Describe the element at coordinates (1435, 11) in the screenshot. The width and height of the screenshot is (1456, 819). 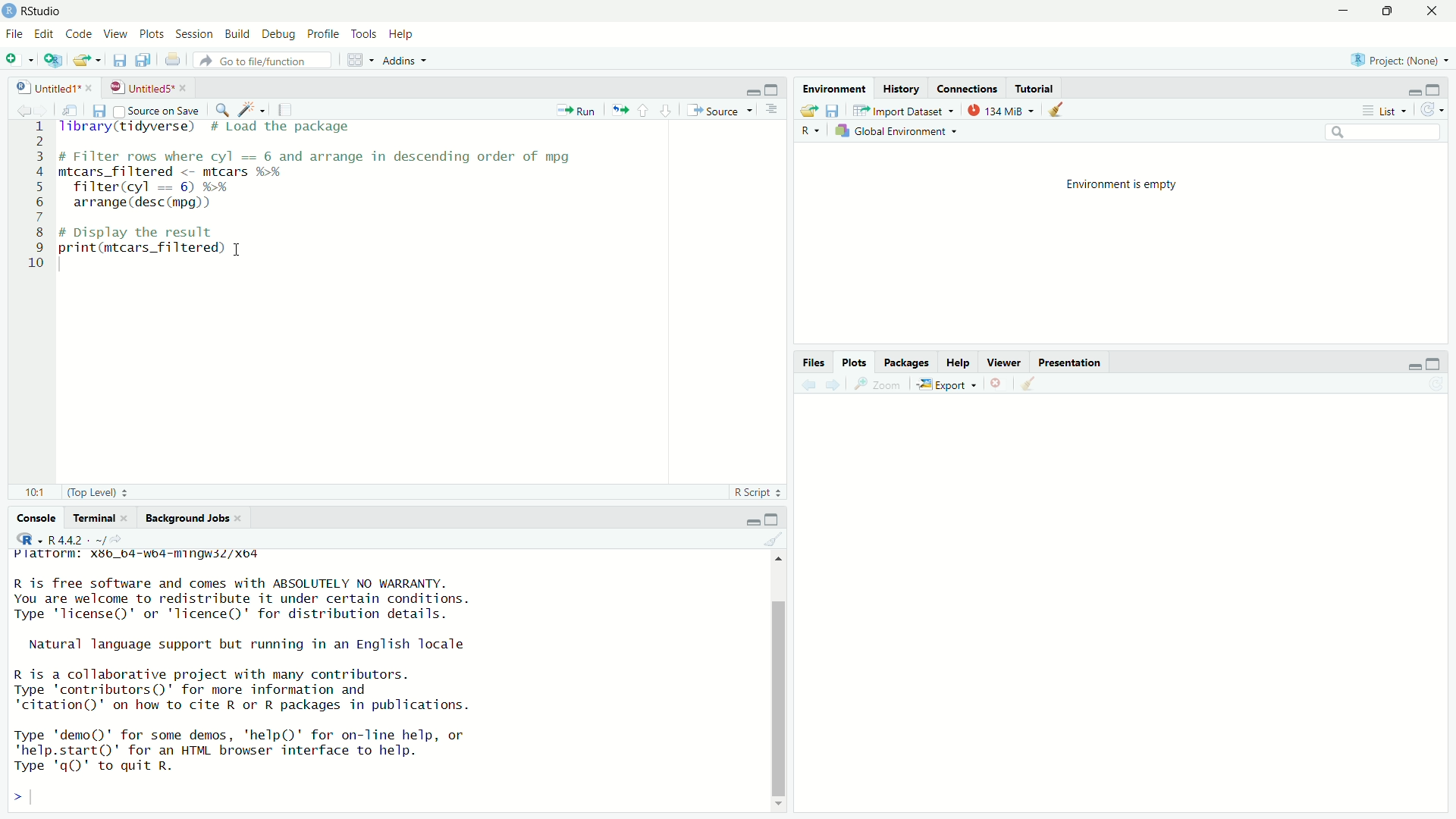
I see `close` at that location.